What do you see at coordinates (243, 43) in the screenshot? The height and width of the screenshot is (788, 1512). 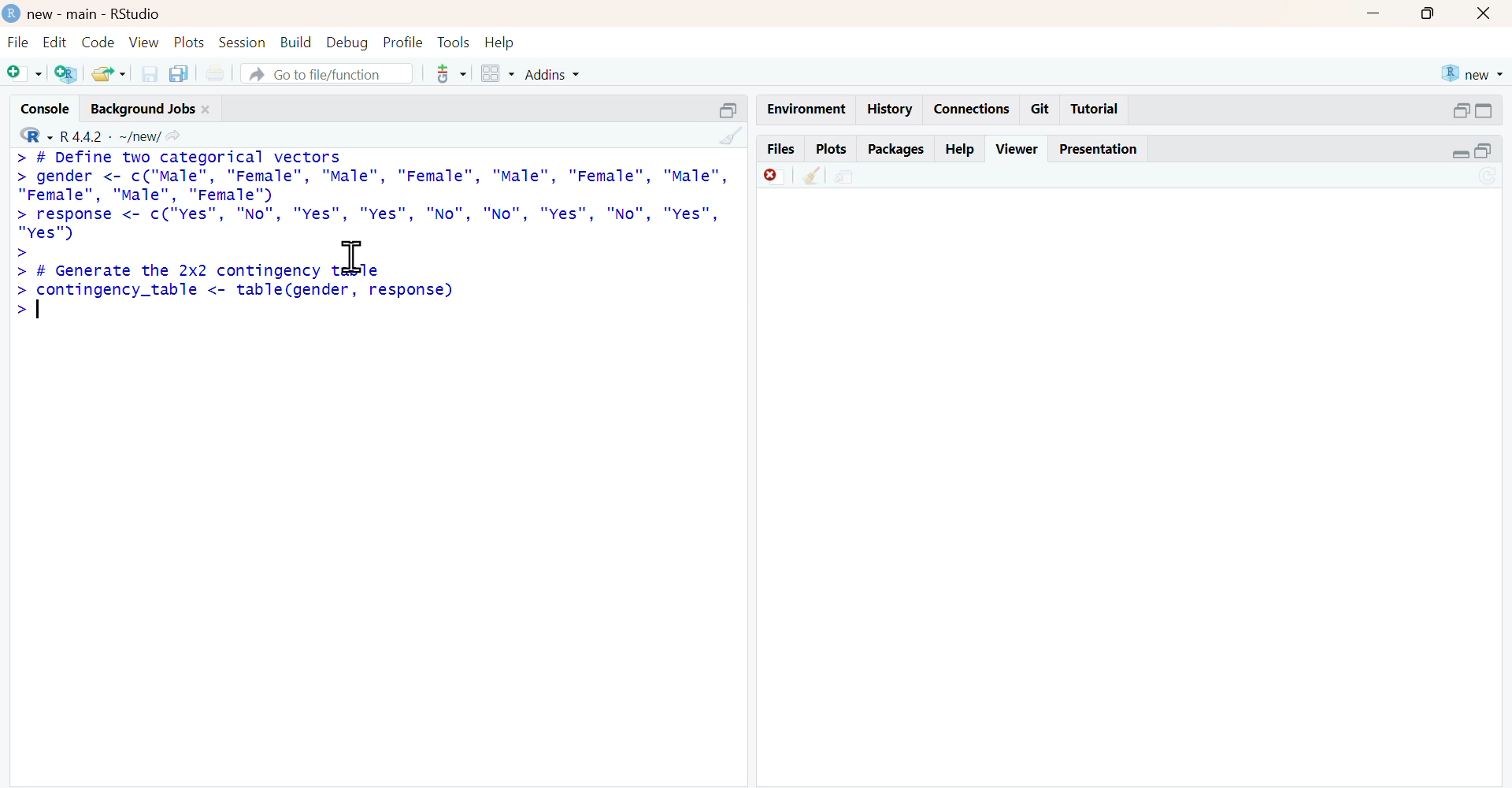 I see `session` at bounding box center [243, 43].